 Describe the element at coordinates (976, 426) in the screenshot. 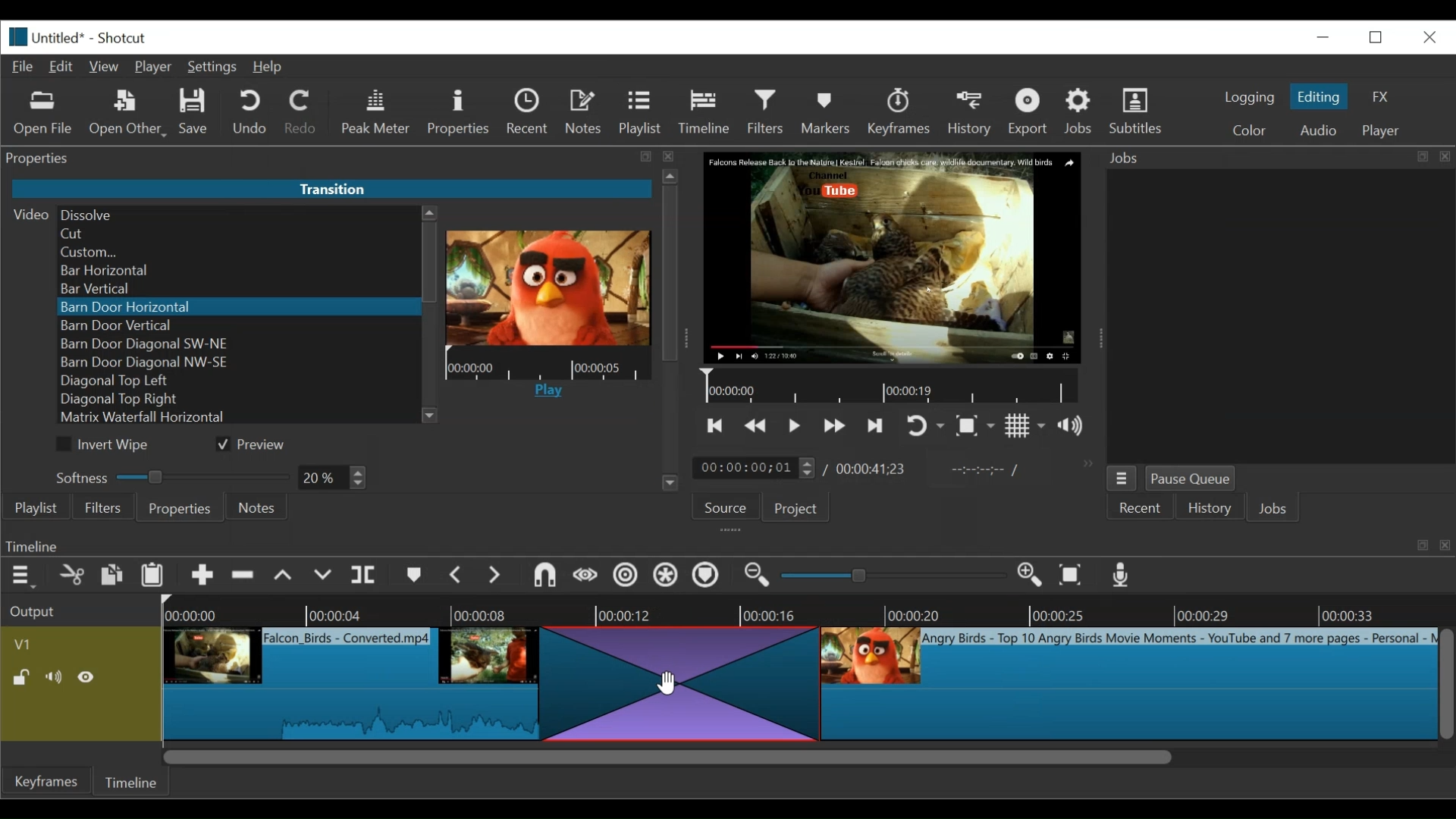

I see `Toggle Zoom` at that location.